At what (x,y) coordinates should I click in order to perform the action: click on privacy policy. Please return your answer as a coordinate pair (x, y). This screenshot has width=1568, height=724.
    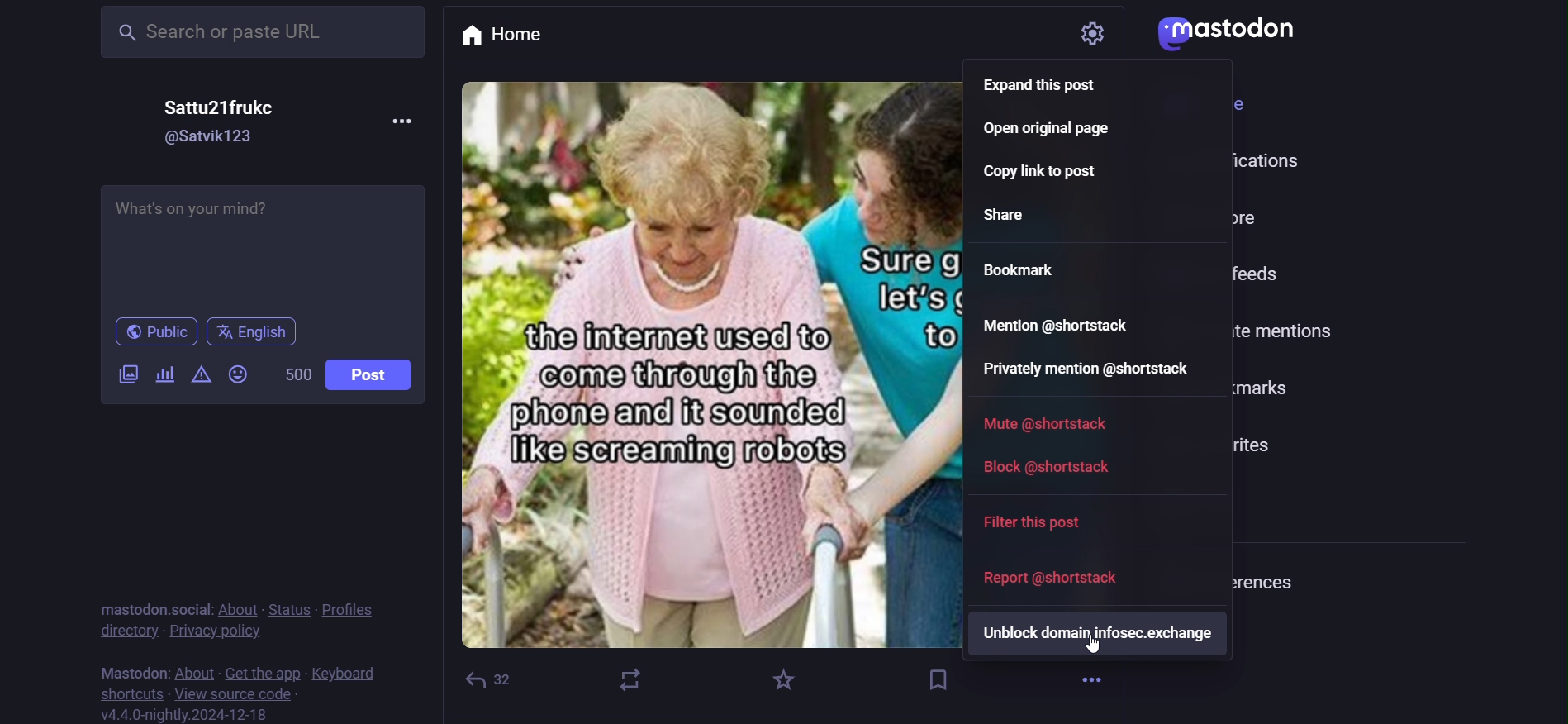
    Looking at the image, I should click on (216, 631).